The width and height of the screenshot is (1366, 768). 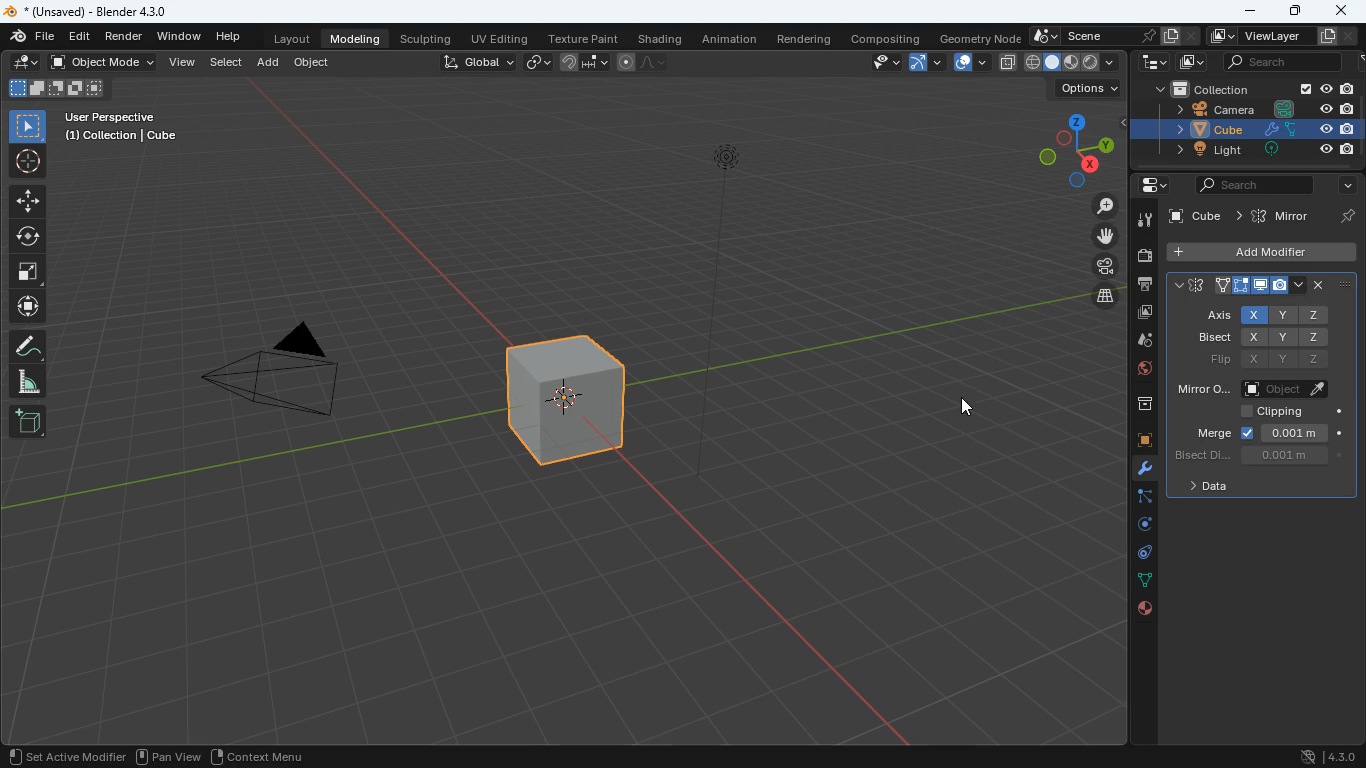 What do you see at coordinates (1331, 36) in the screenshot?
I see `` at bounding box center [1331, 36].